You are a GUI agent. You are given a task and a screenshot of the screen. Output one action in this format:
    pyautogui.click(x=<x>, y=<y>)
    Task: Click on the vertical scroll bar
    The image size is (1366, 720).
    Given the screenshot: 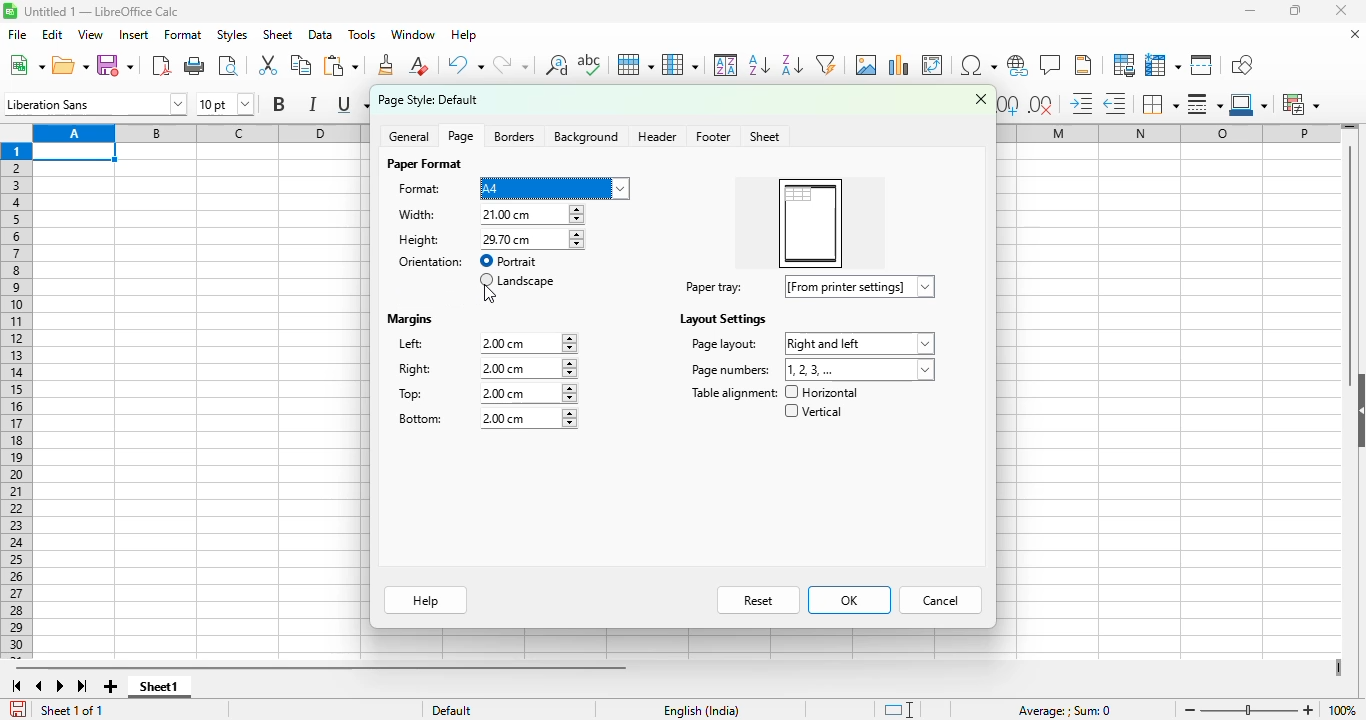 What is the action you would take?
    pyautogui.click(x=1351, y=266)
    